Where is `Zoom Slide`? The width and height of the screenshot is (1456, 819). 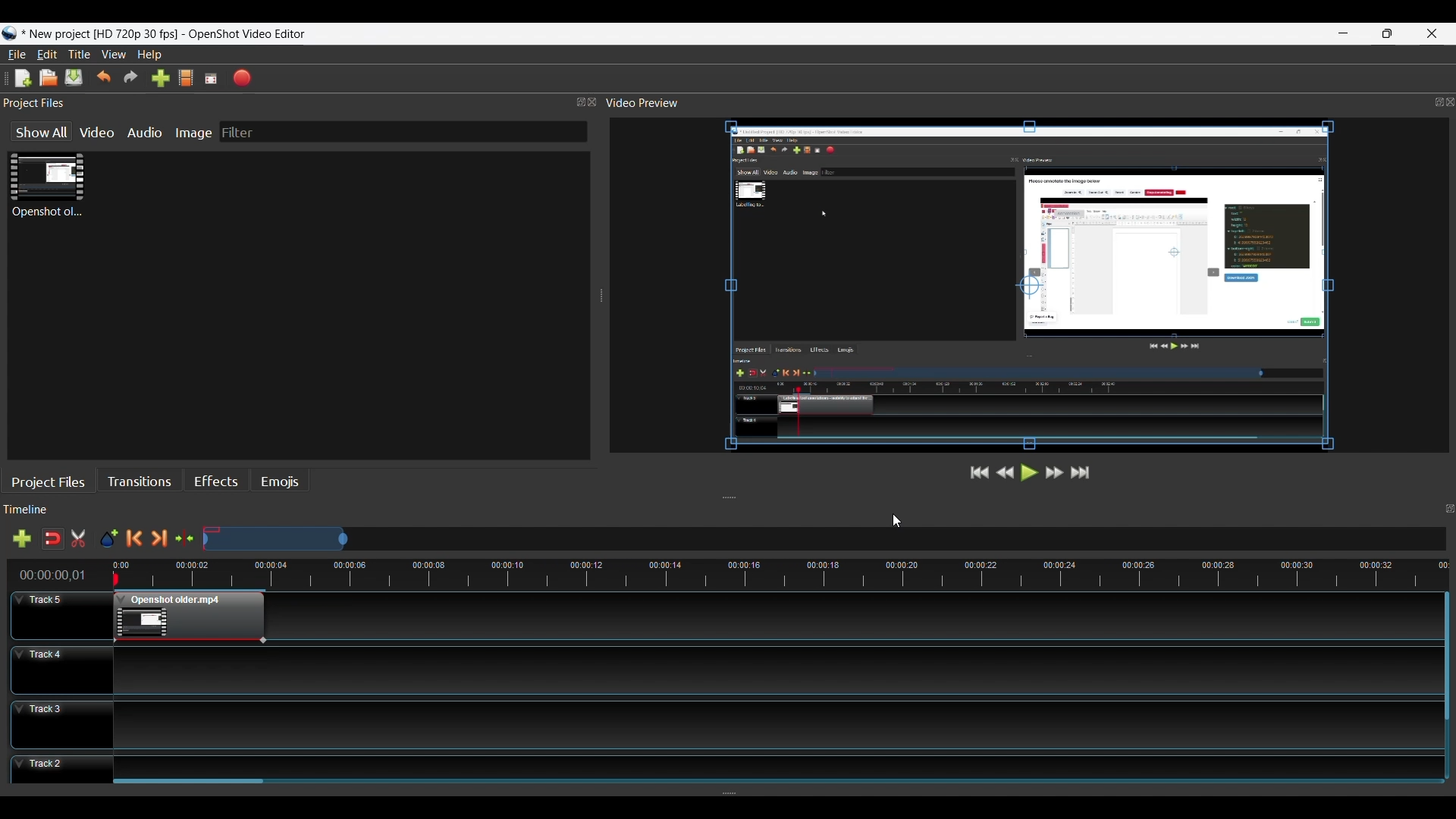 Zoom Slide is located at coordinates (295, 537).